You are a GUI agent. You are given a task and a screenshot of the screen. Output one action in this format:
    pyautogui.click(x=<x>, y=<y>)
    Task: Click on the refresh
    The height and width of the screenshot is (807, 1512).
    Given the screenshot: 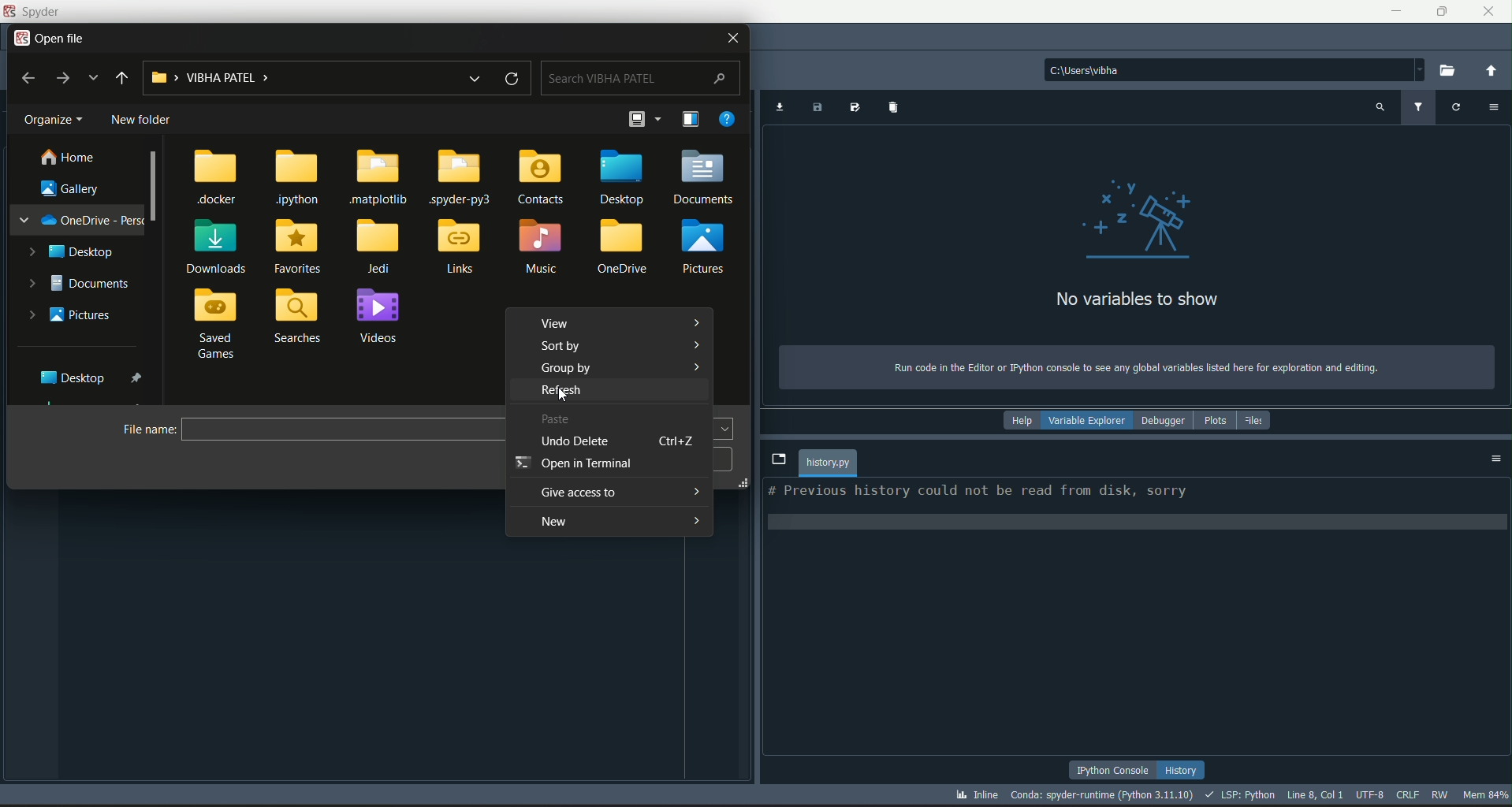 What is the action you would take?
    pyautogui.click(x=511, y=78)
    